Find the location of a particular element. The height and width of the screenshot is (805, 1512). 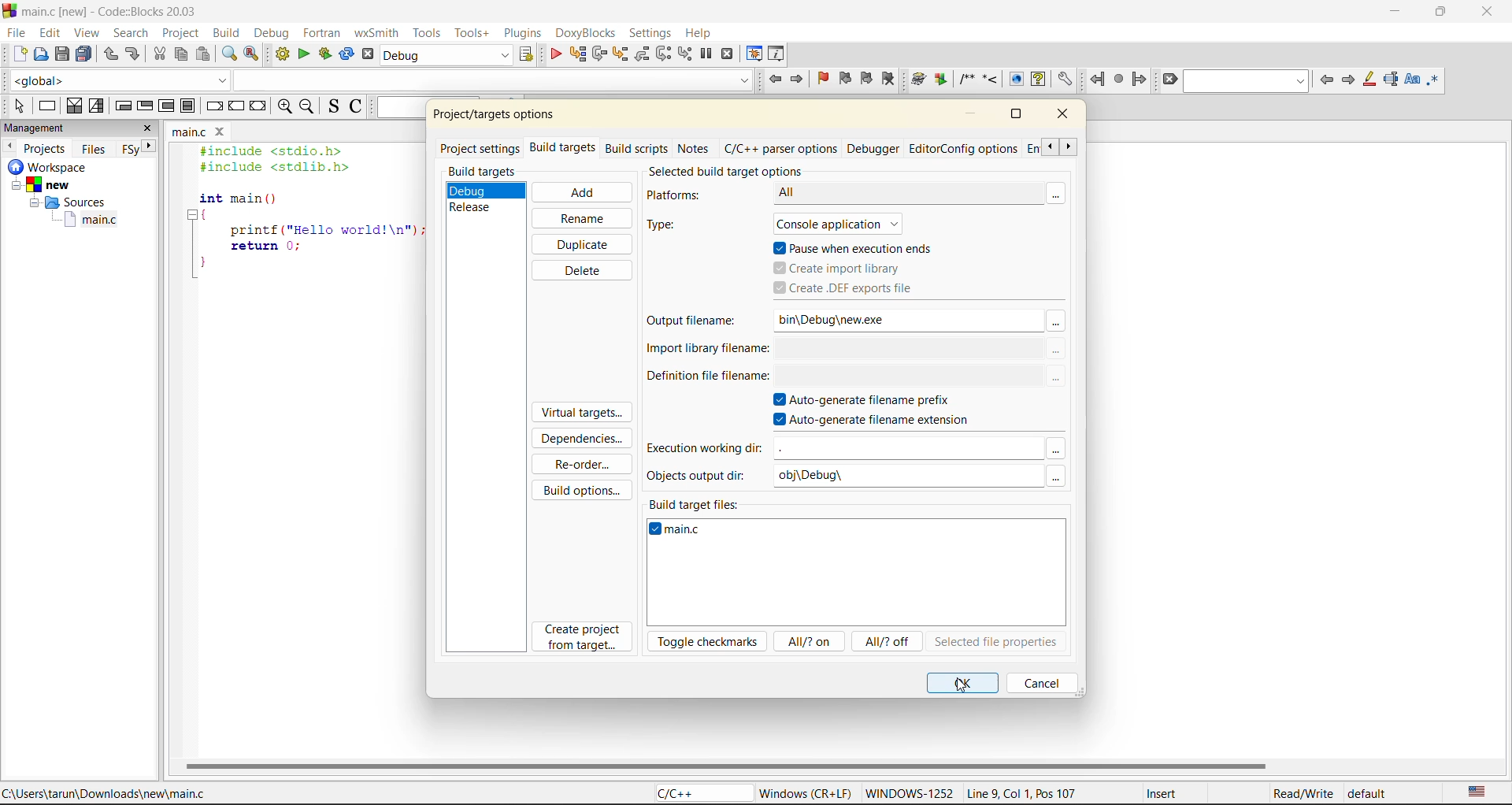

virtual targets is located at coordinates (580, 414).